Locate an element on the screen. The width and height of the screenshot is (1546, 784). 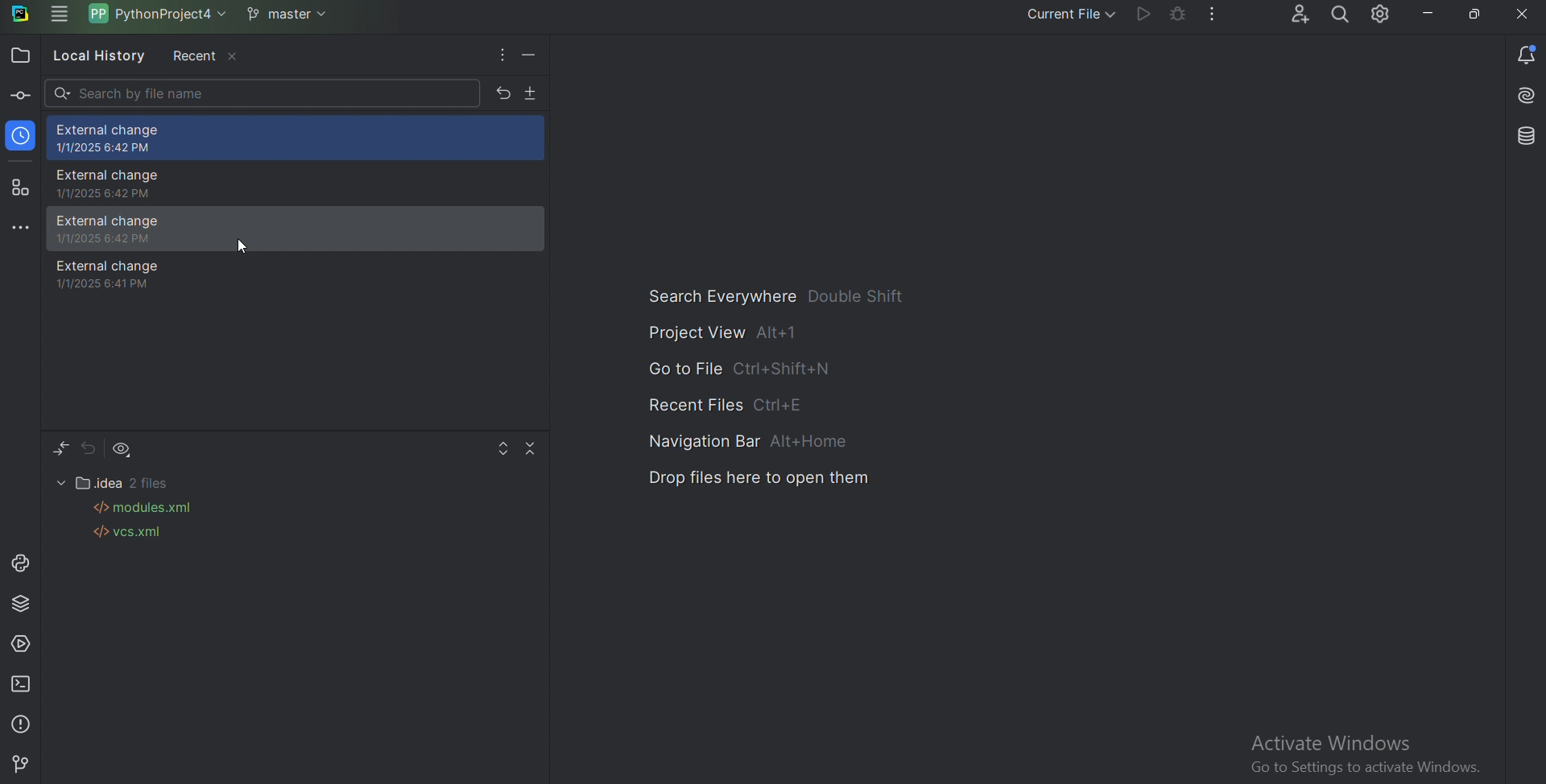
Recent files is located at coordinates (714, 402).